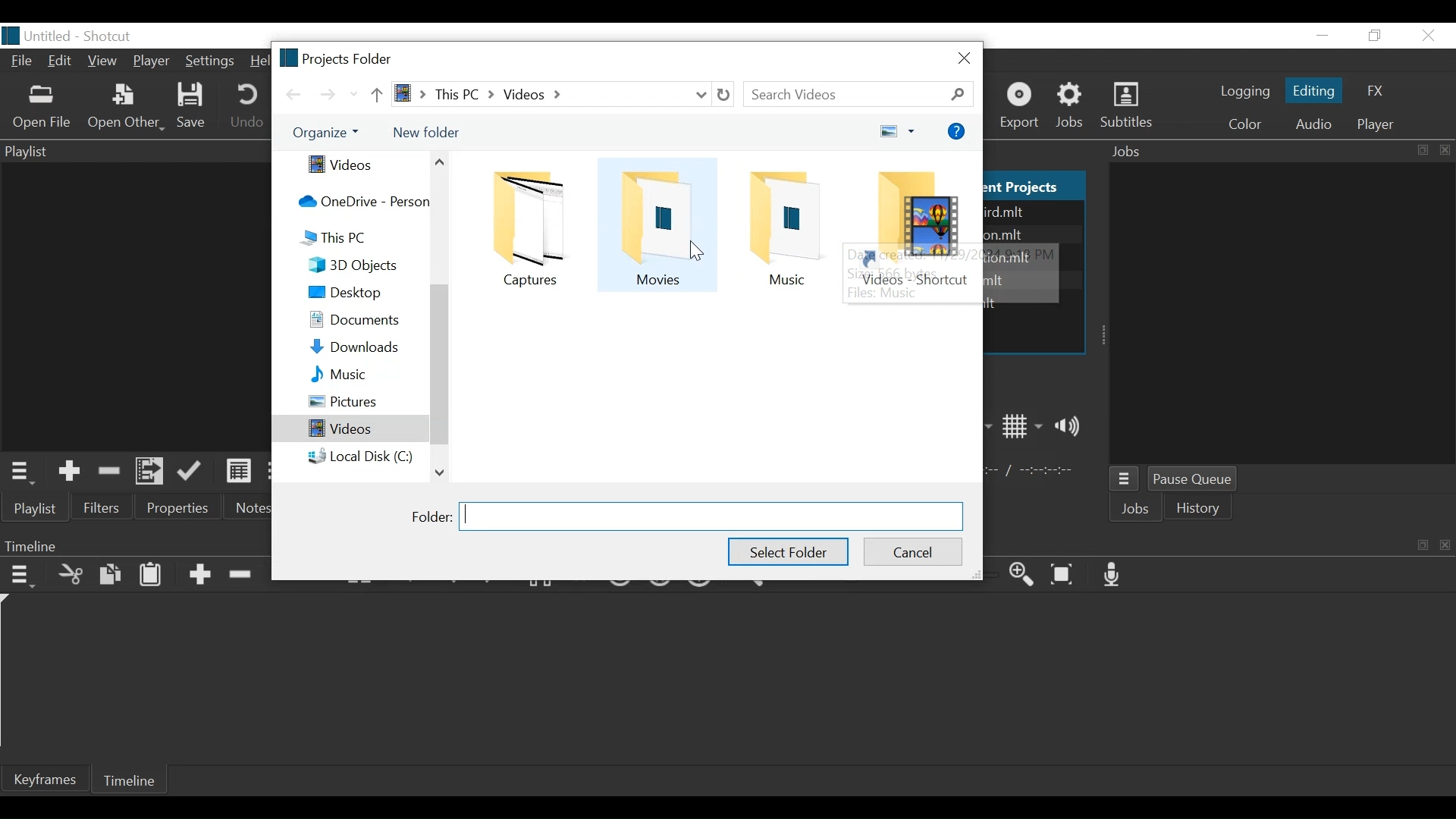  What do you see at coordinates (362, 318) in the screenshot?
I see `Documents` at bounding box center [362, 318].